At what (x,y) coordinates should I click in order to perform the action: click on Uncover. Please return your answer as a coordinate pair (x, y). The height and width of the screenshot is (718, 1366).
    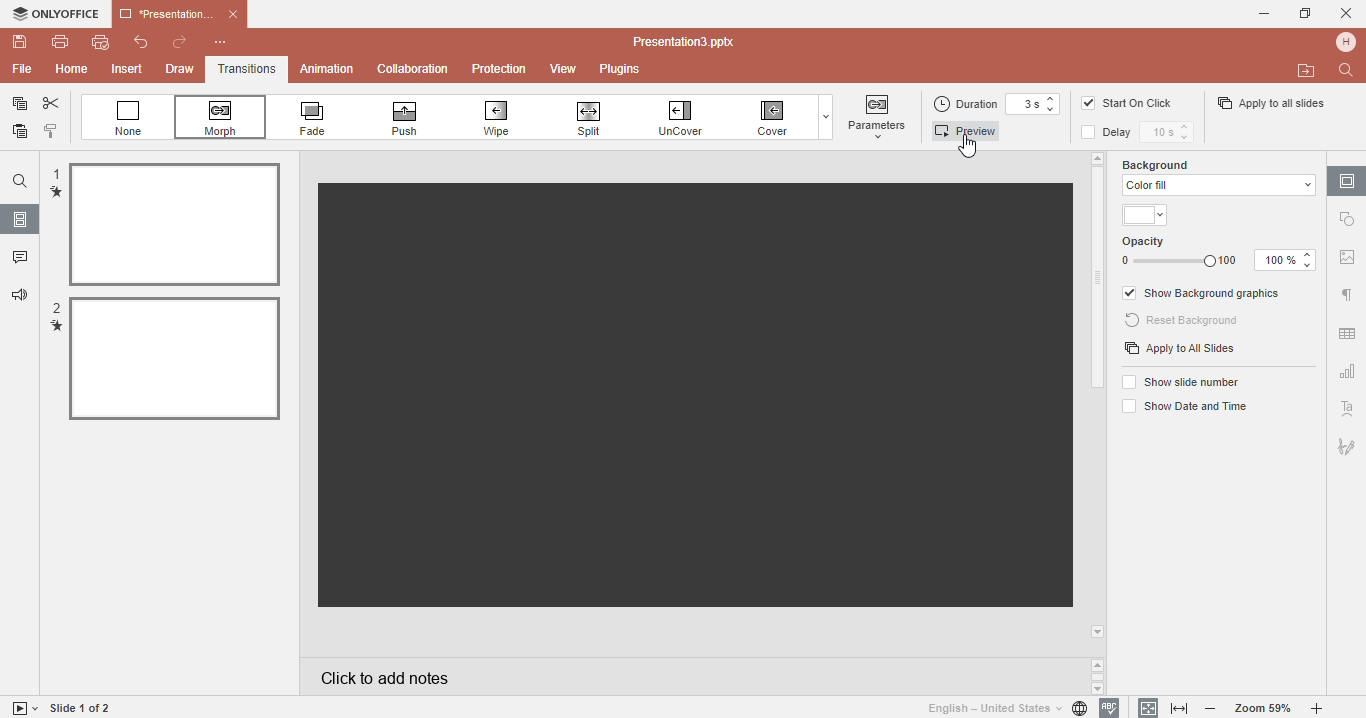
    Looking at the image, I should click on (691, 117).